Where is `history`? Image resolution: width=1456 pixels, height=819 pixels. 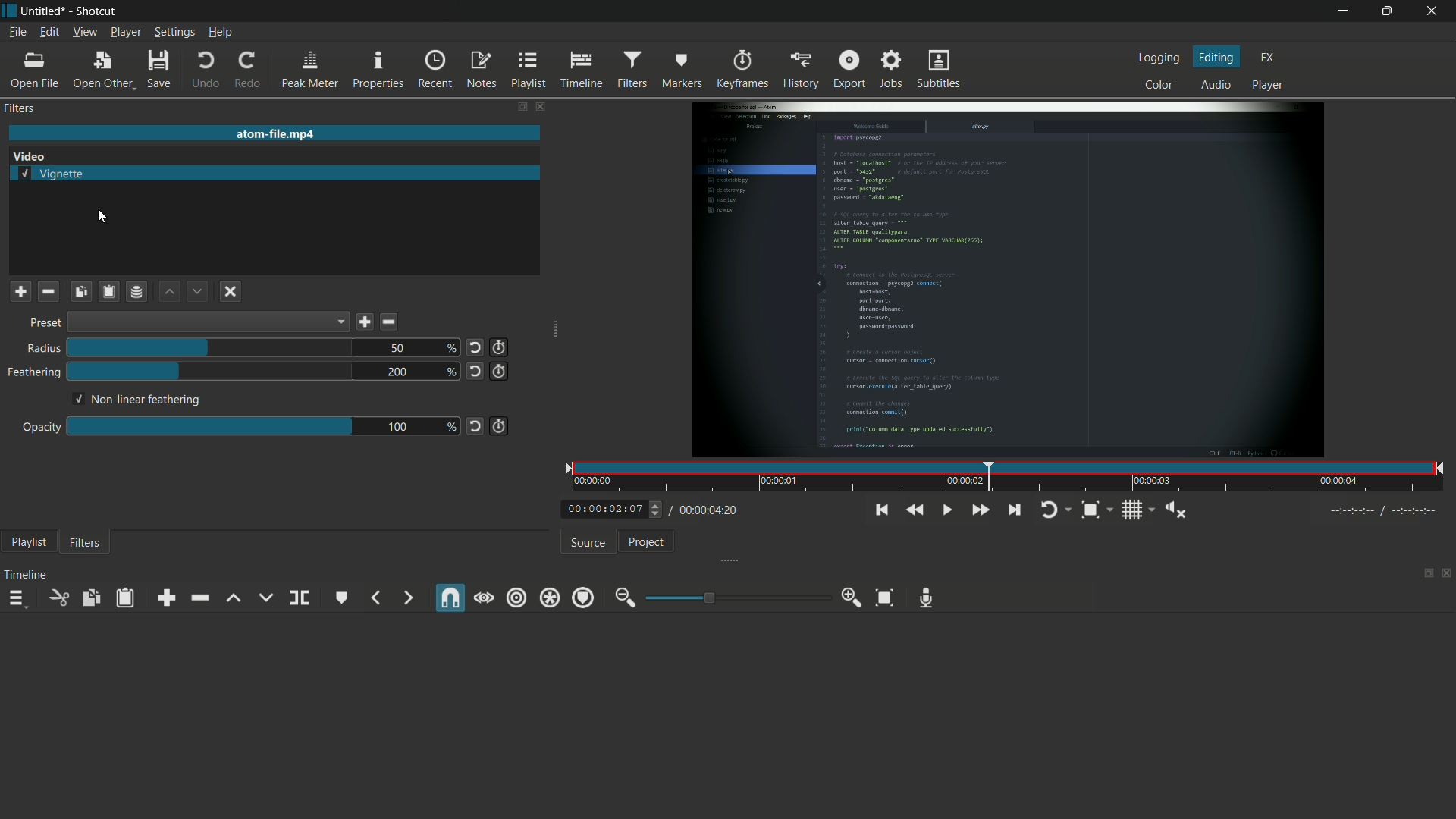 history is located at coordinates (802, 71).